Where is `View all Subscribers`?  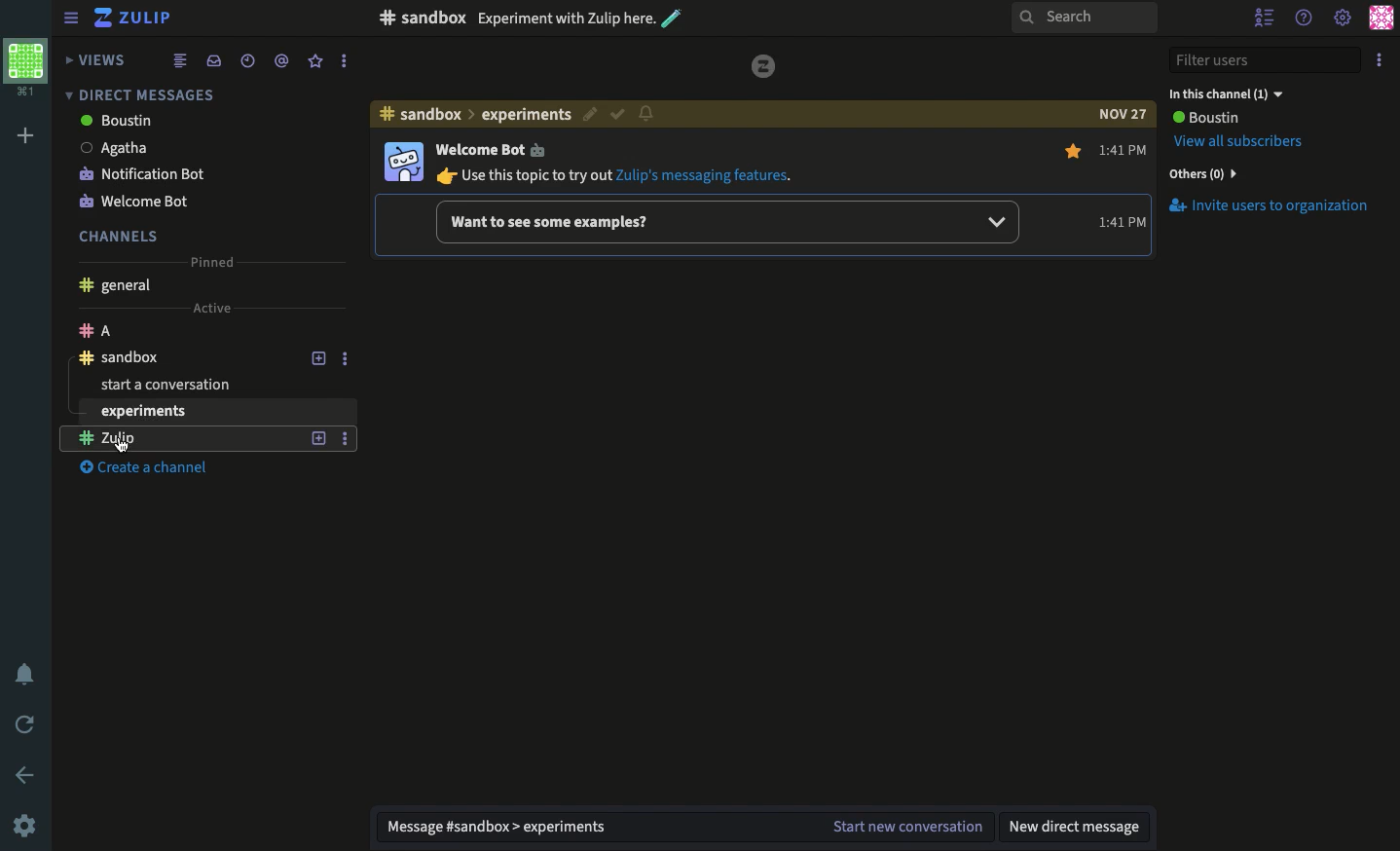
View all Subscribers is located at coordinates (1242, 141).